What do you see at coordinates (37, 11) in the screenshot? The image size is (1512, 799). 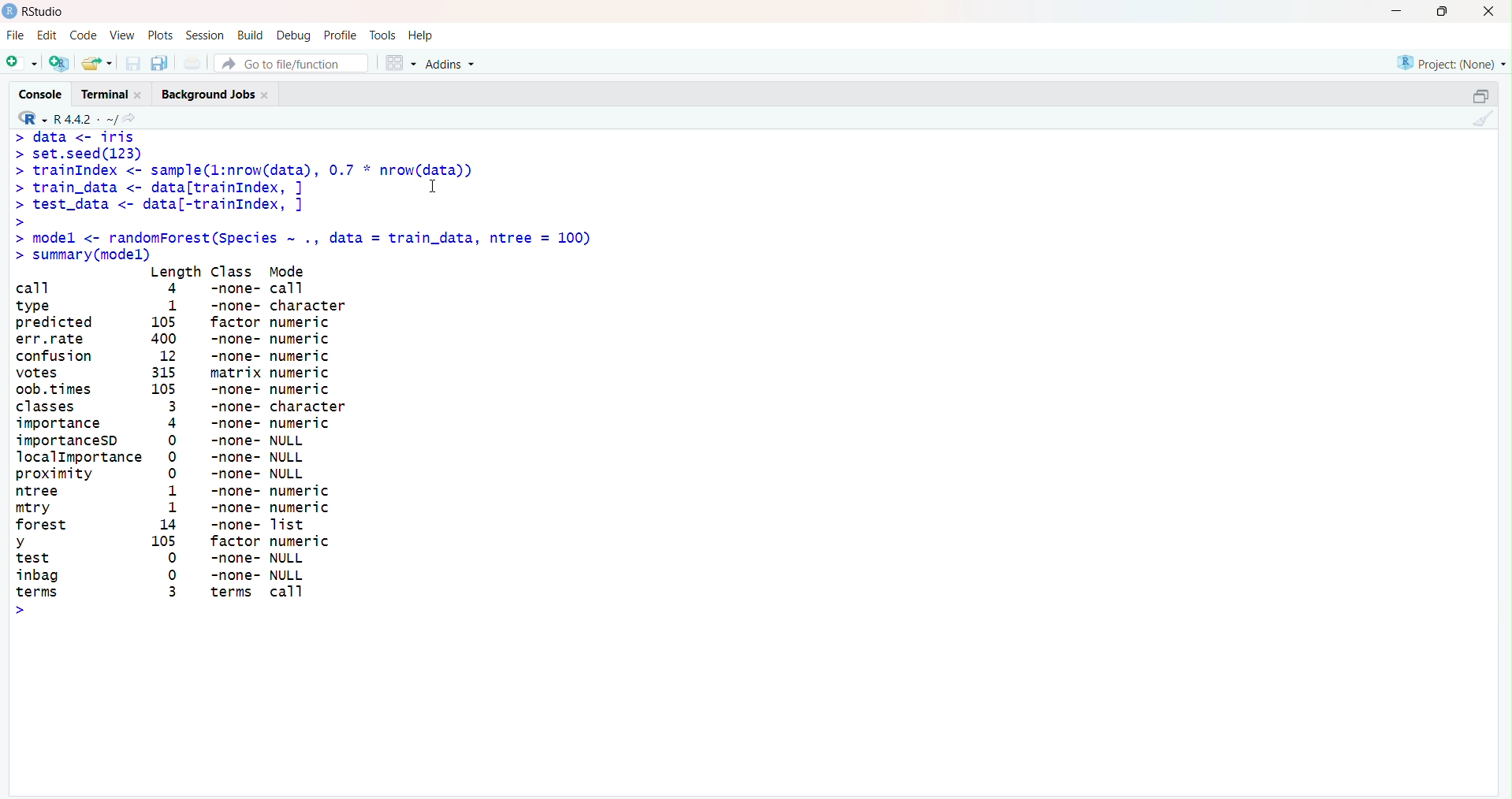 I see `RStudio` at bounding box center [37, 11].